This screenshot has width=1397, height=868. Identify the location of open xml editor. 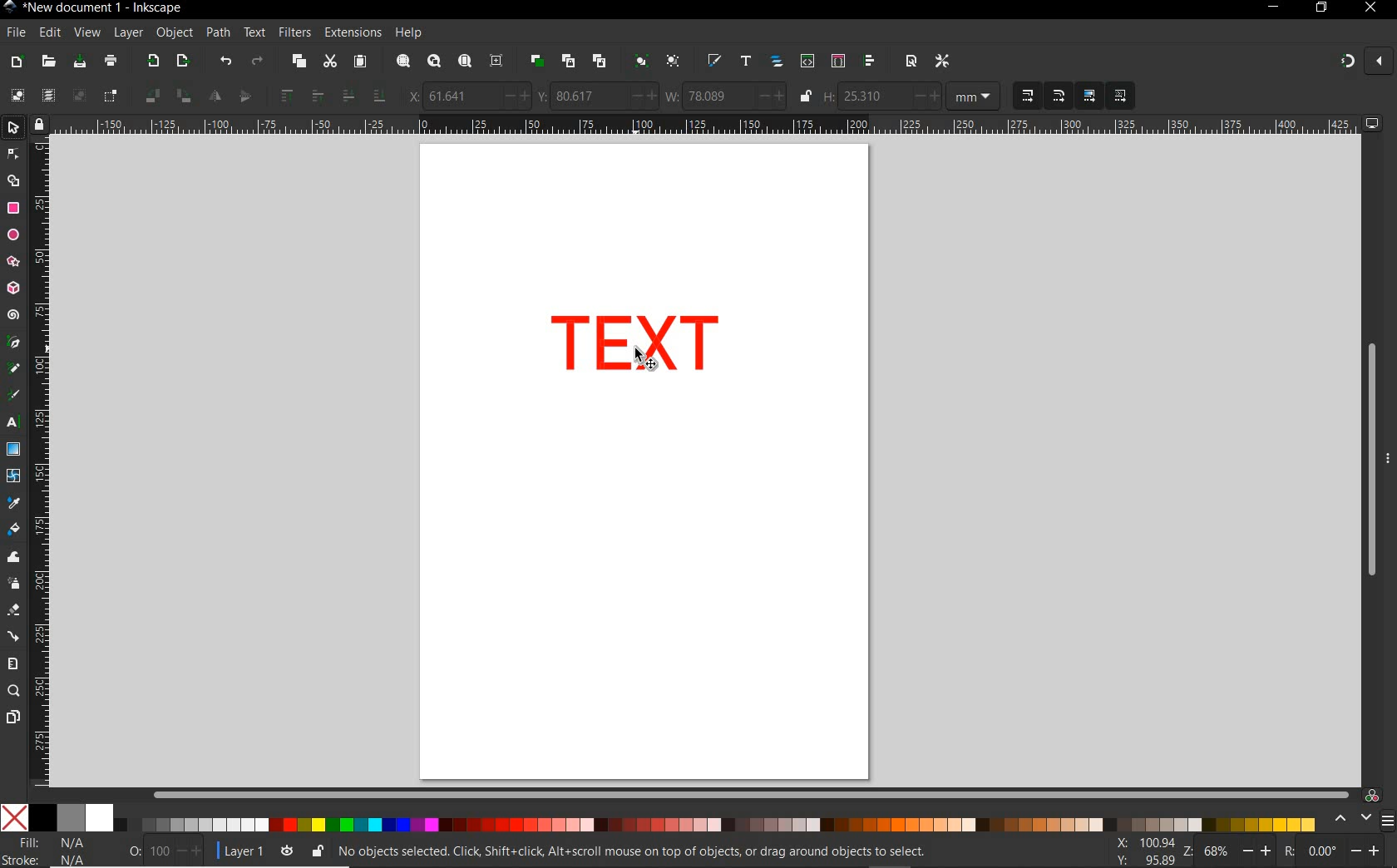
(806, 62).